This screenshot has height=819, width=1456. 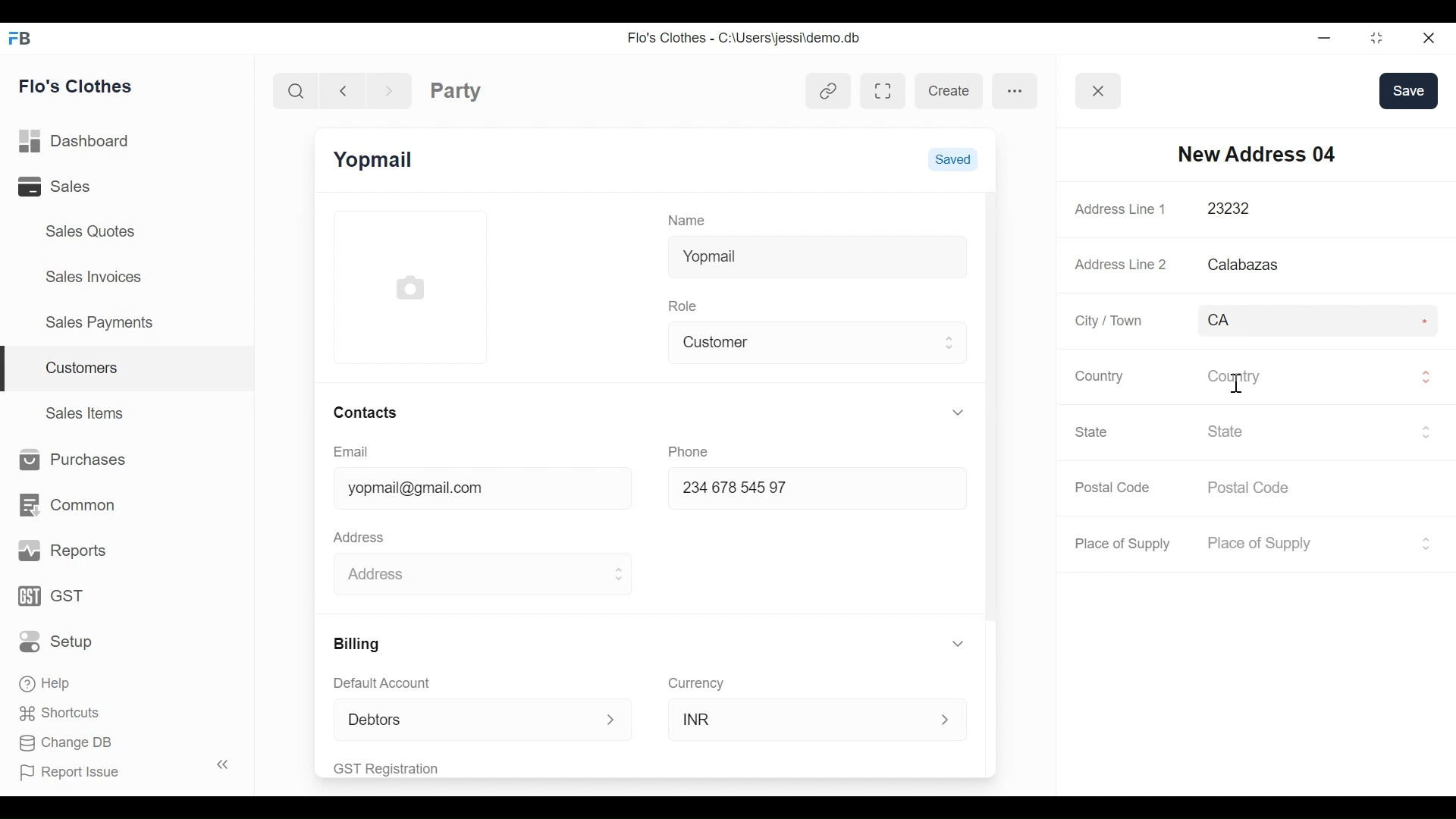 I want to click on Reports, so click(x=64, y=551).